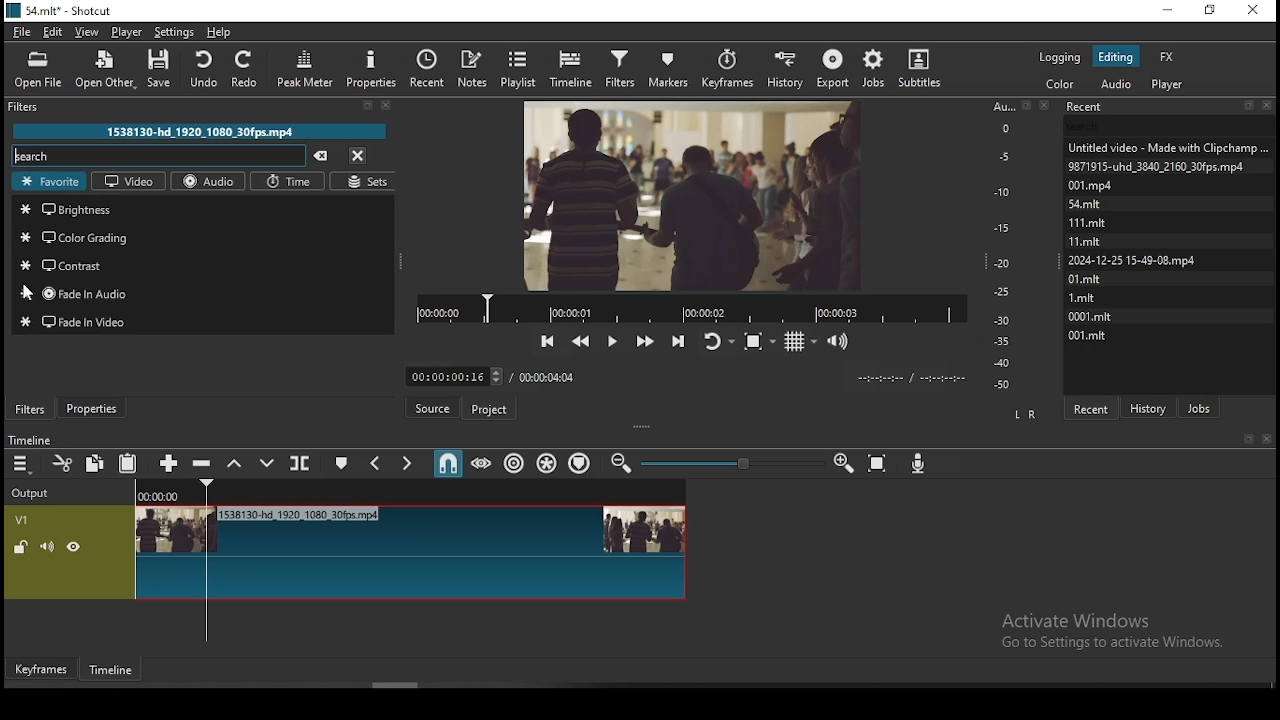 This screenshot has width=1280, height=720. What do you see at coordinates (644, 340) in the screenshot?
I see `play quickly forwards` at bounding box center [644, 340].